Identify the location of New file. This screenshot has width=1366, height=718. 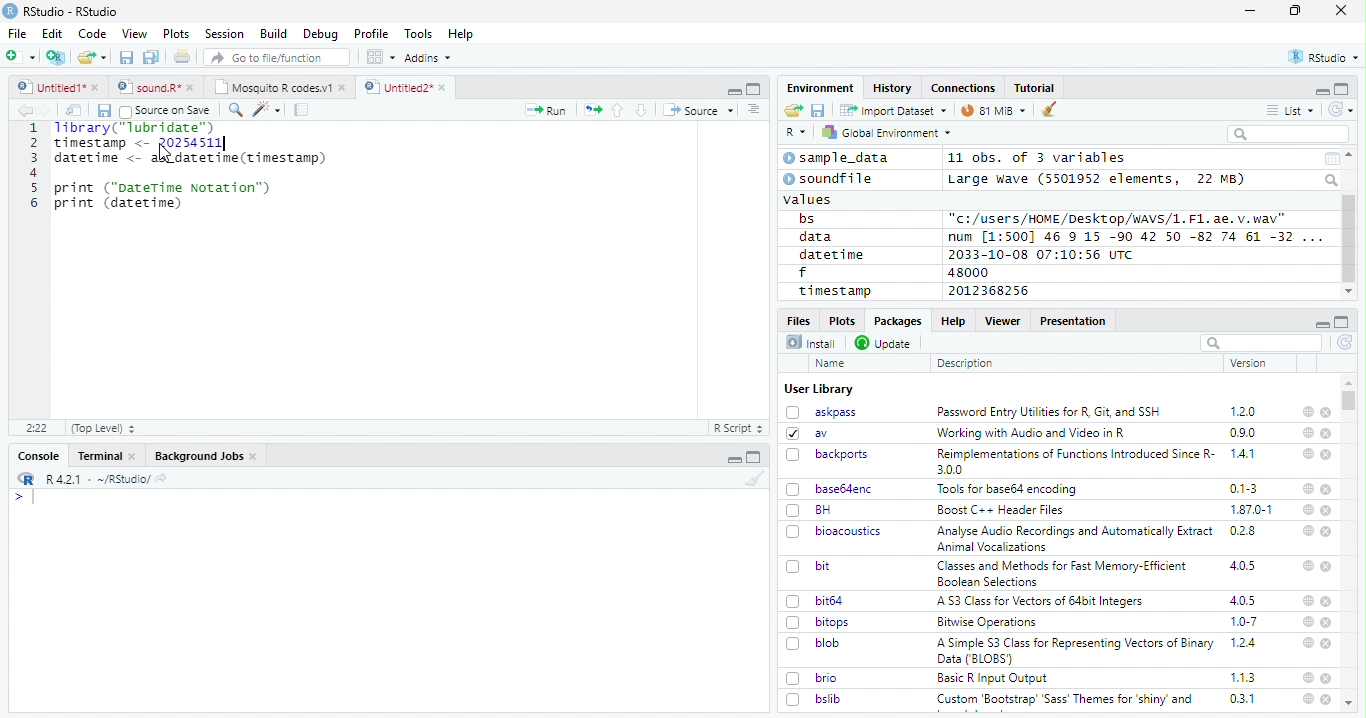
(22, 57).